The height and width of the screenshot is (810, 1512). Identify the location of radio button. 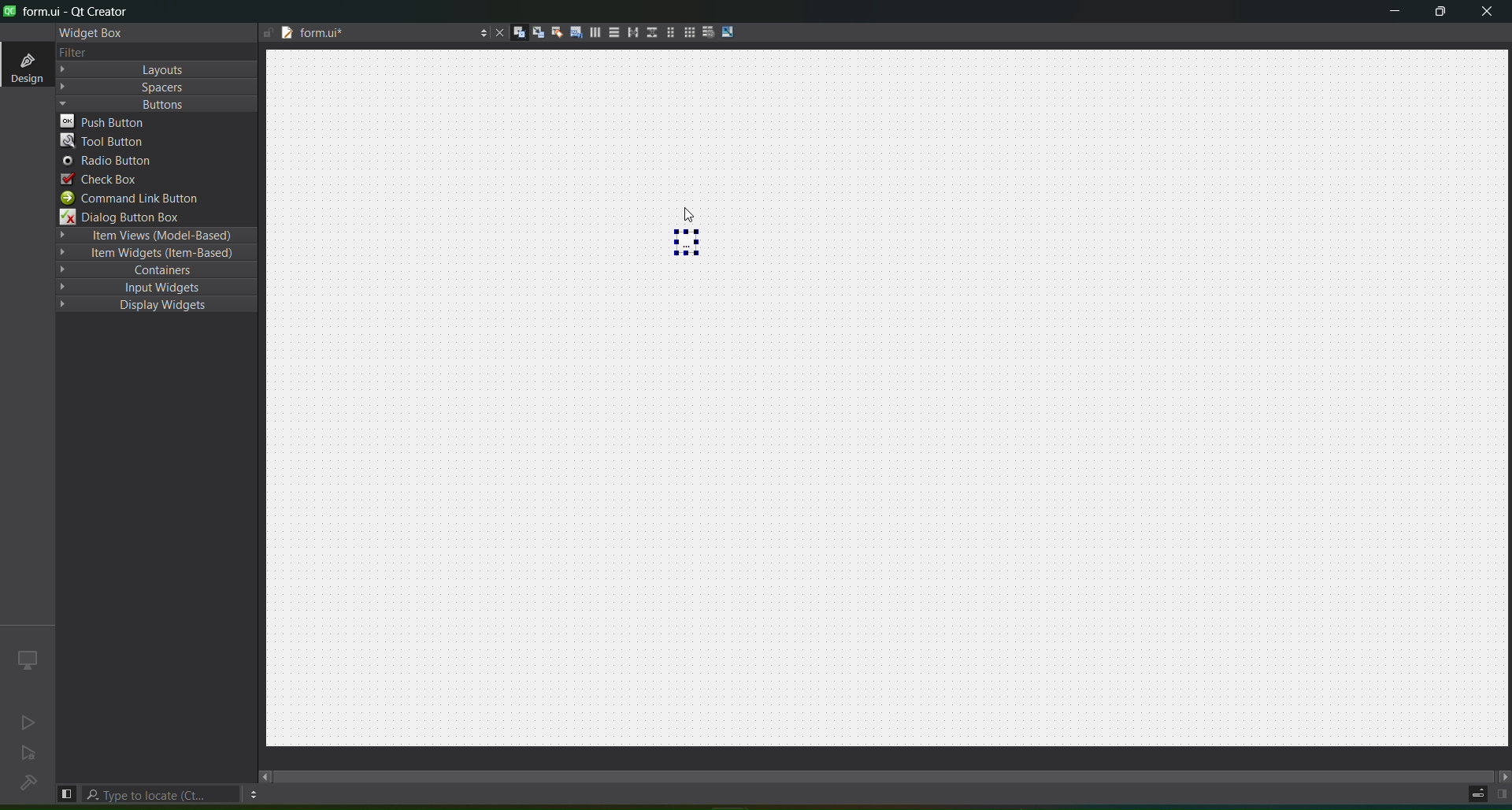
(151, 162).